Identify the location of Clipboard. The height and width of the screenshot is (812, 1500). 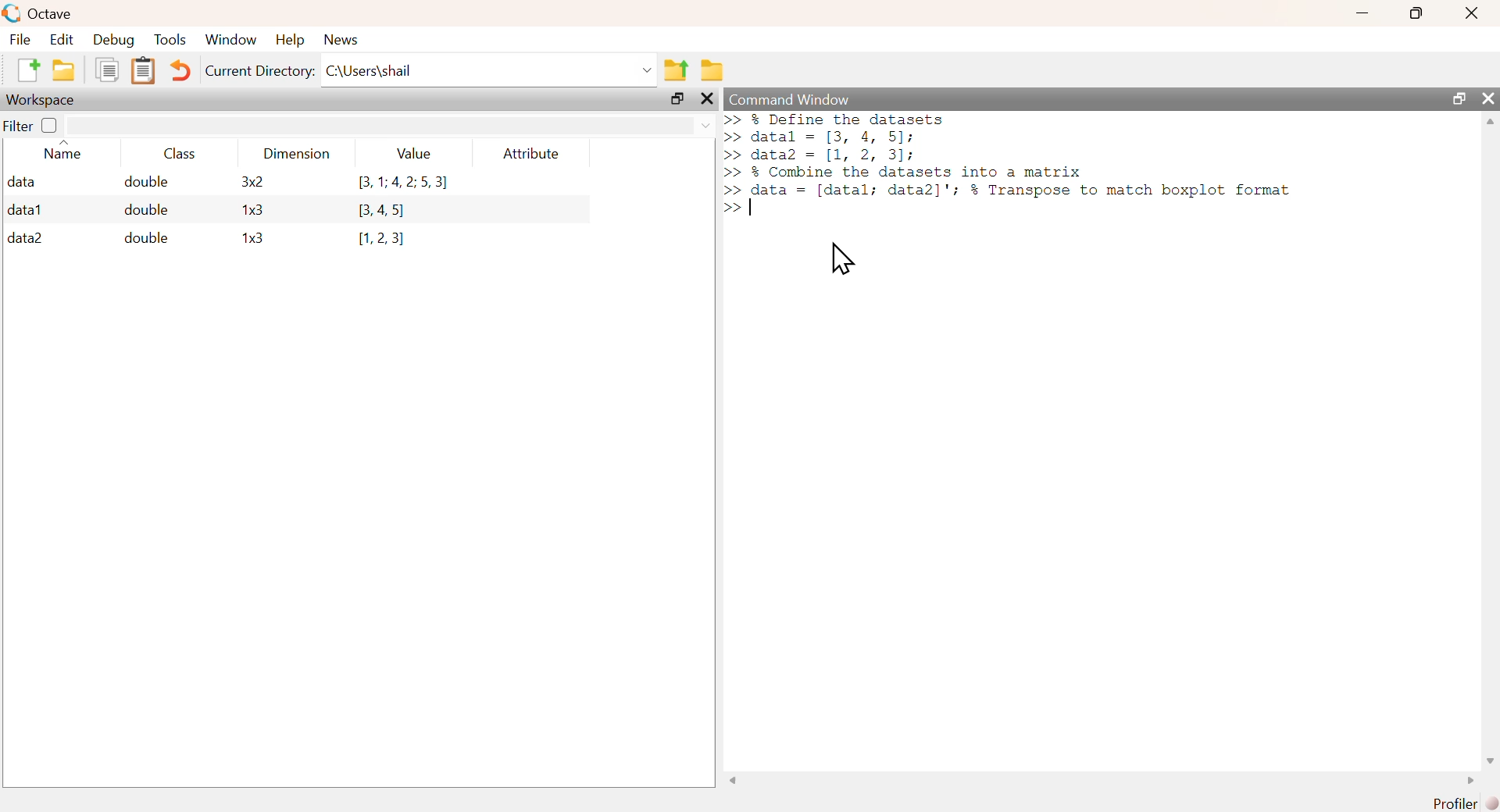
(143, 71).